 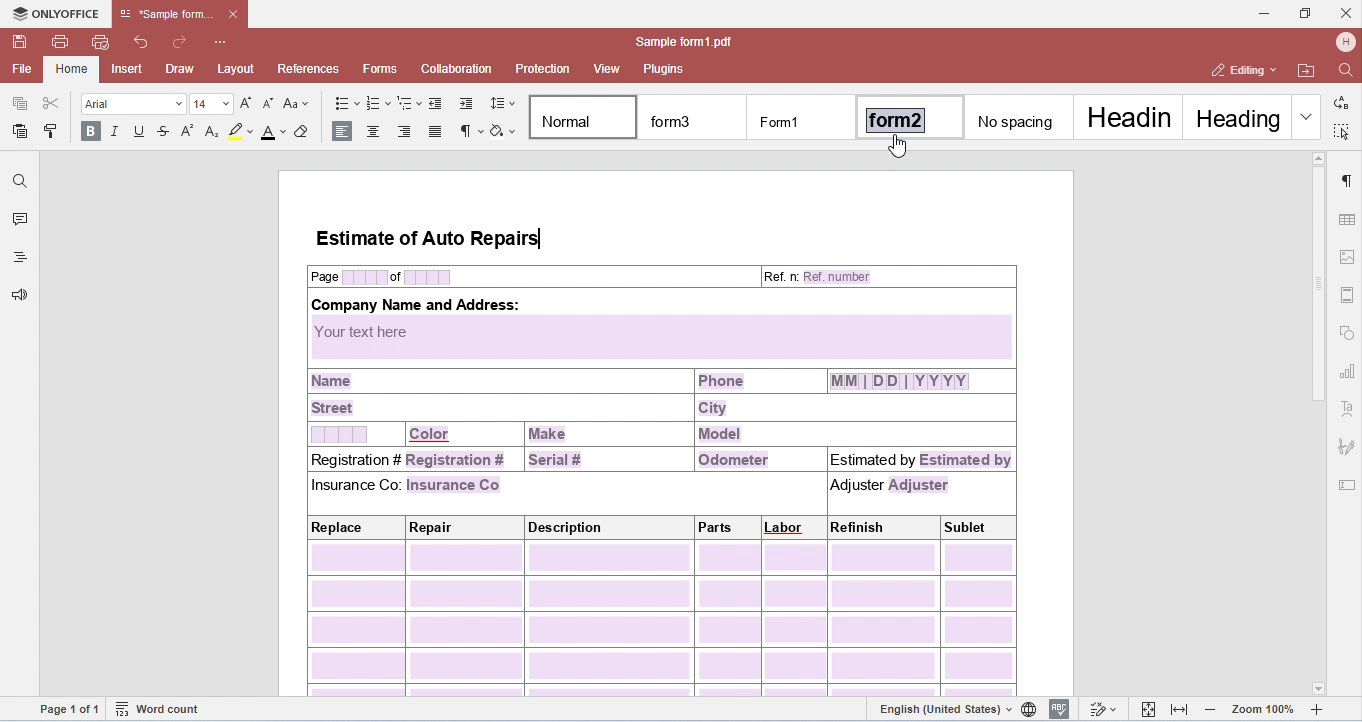 I want to click on multilevel list, so click(x=409, y=104).